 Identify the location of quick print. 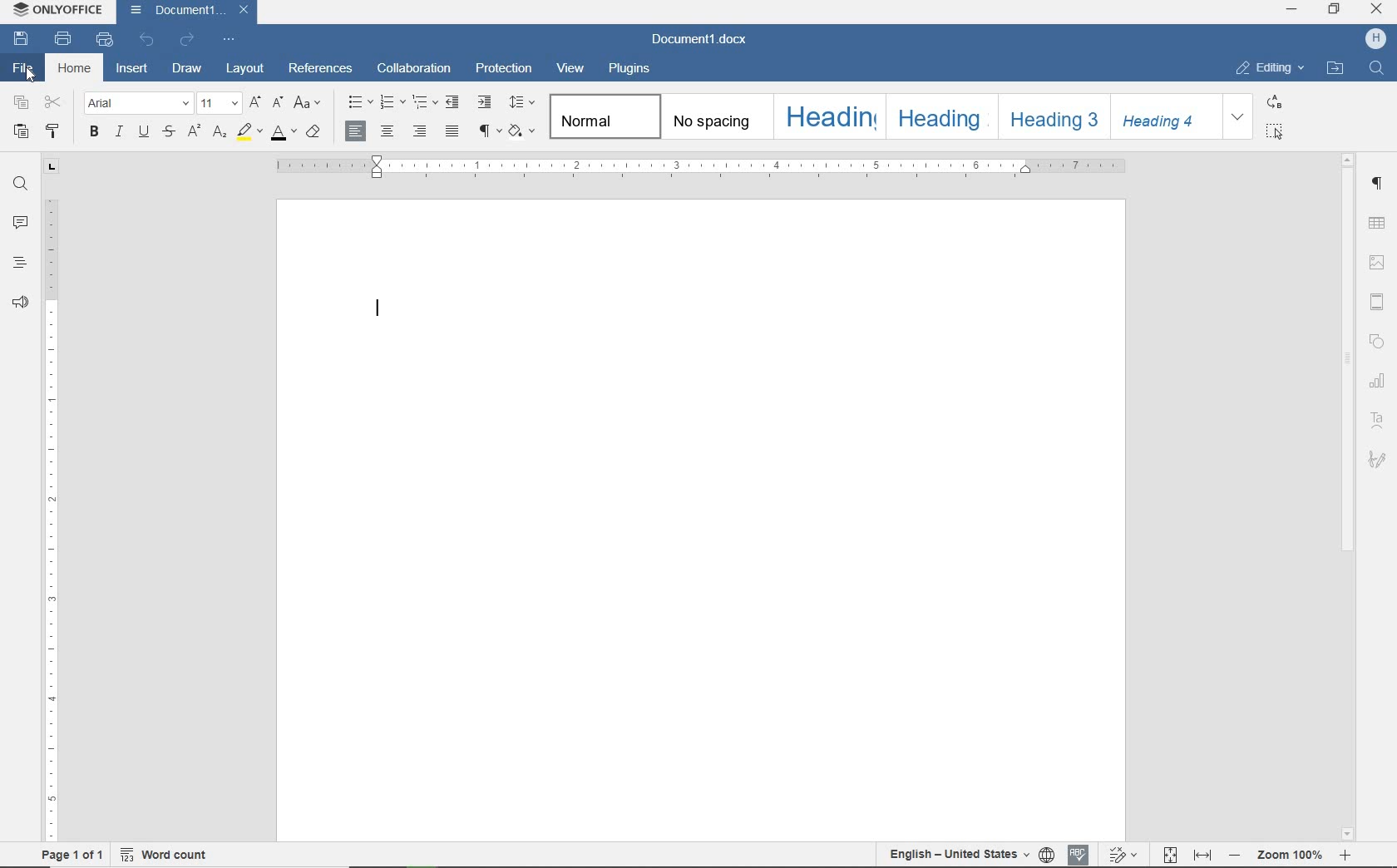
(104, 40).